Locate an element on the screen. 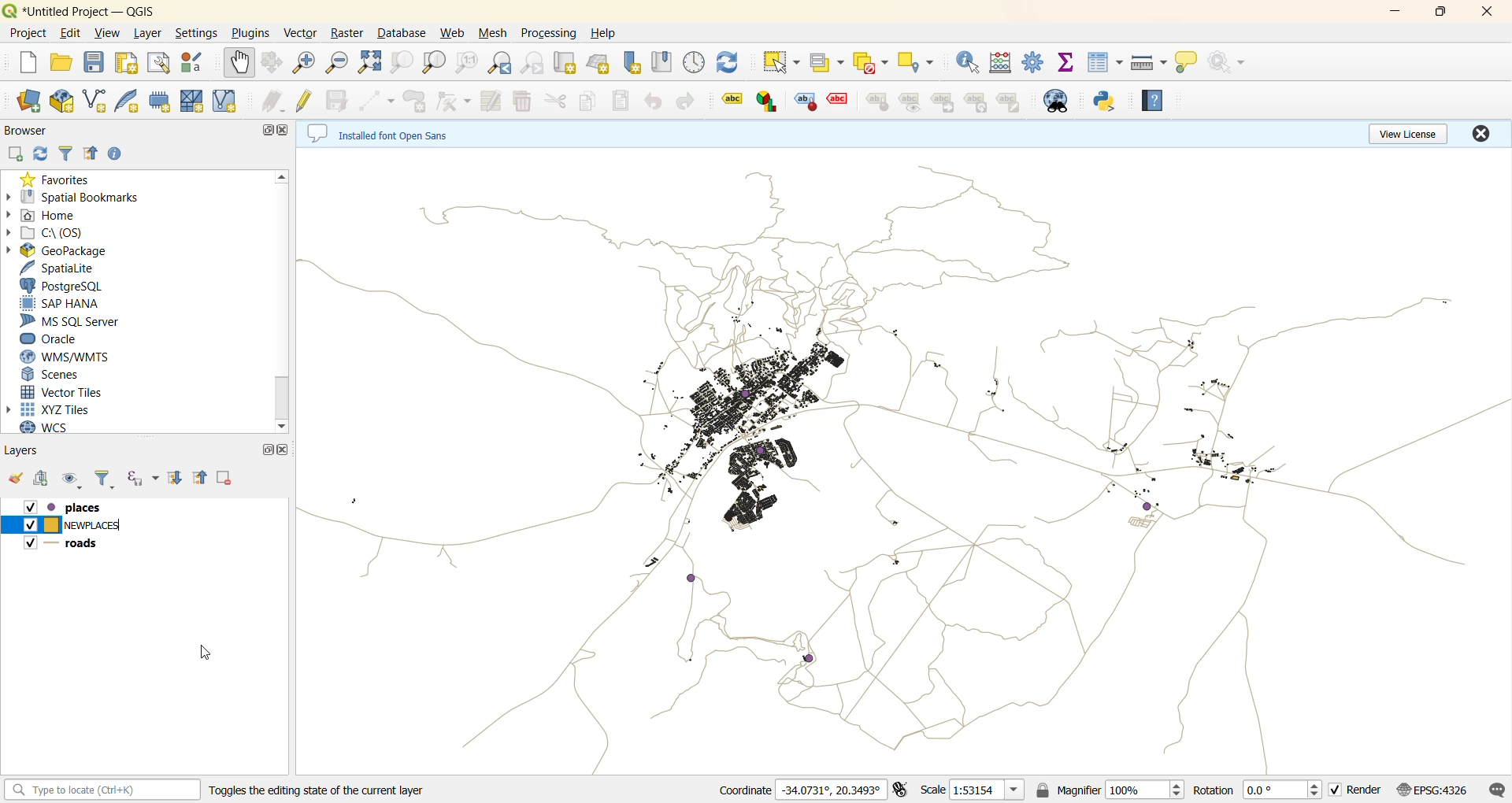 The width and height of the screenshot is (1512, 803). view is located at coordinates (109, 35).